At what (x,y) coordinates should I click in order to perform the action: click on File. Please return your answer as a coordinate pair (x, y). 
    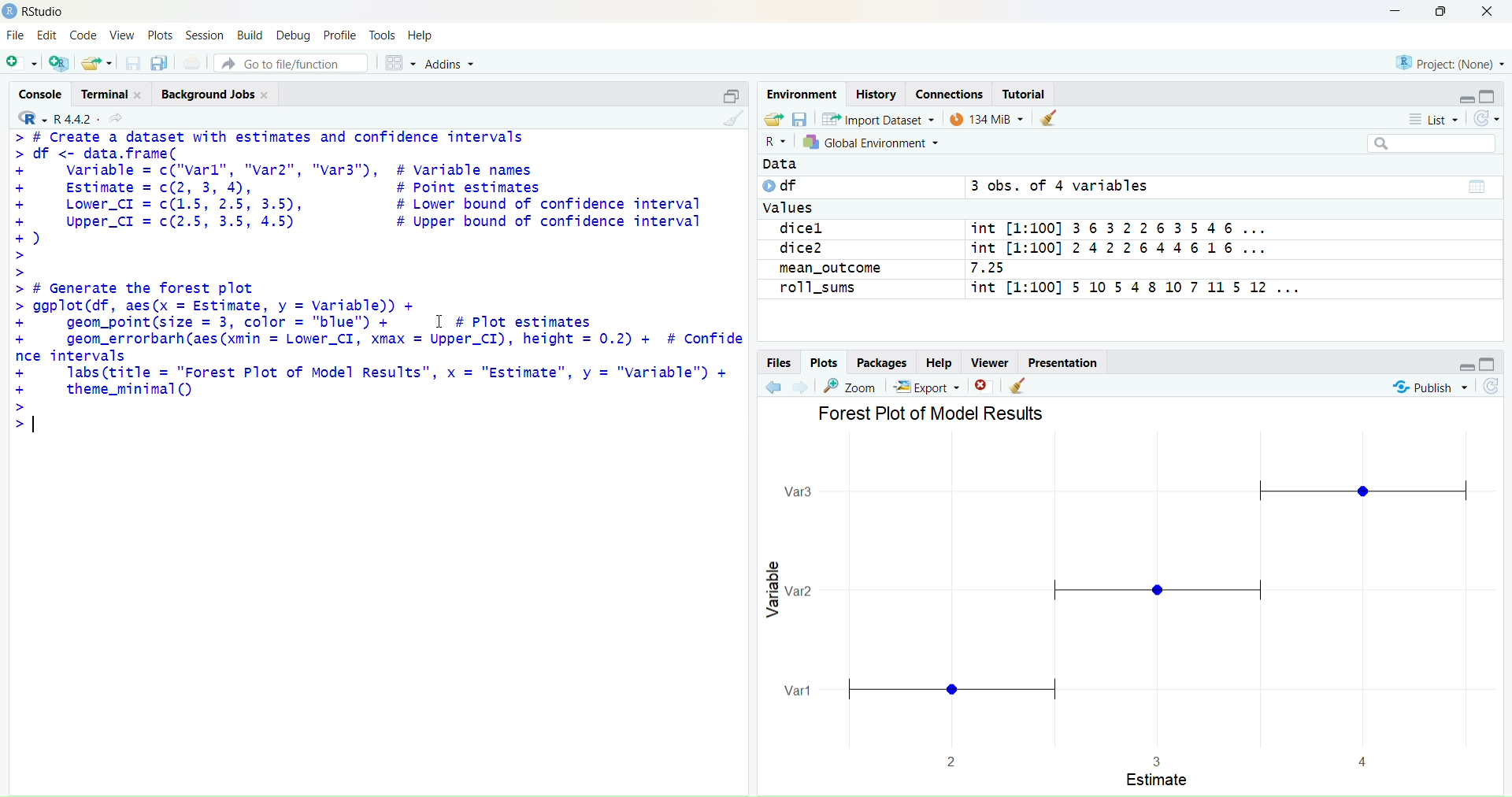
    Looking at the image, I should click on (14, 35).